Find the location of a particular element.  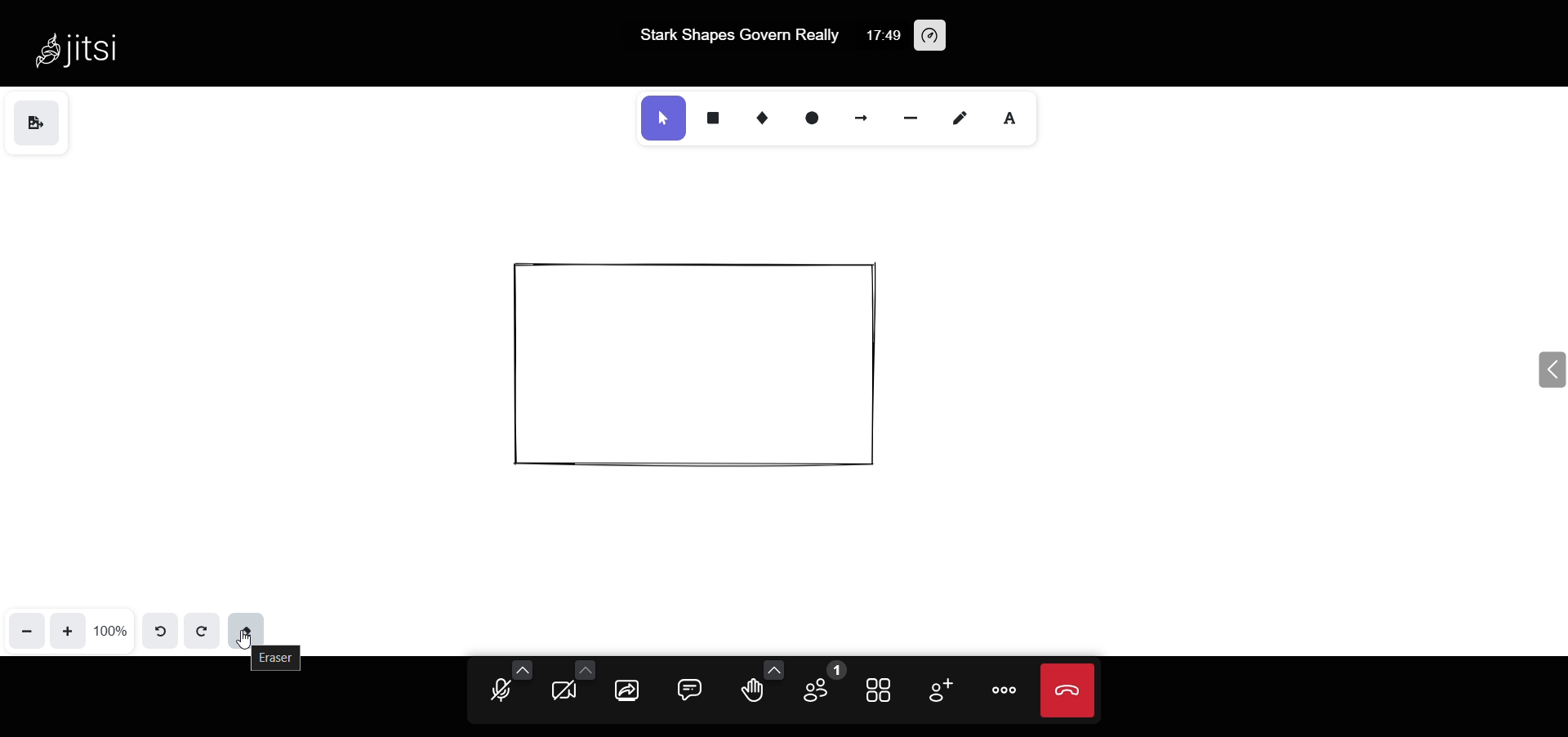

leave call is located at coordinates (1067, 686).